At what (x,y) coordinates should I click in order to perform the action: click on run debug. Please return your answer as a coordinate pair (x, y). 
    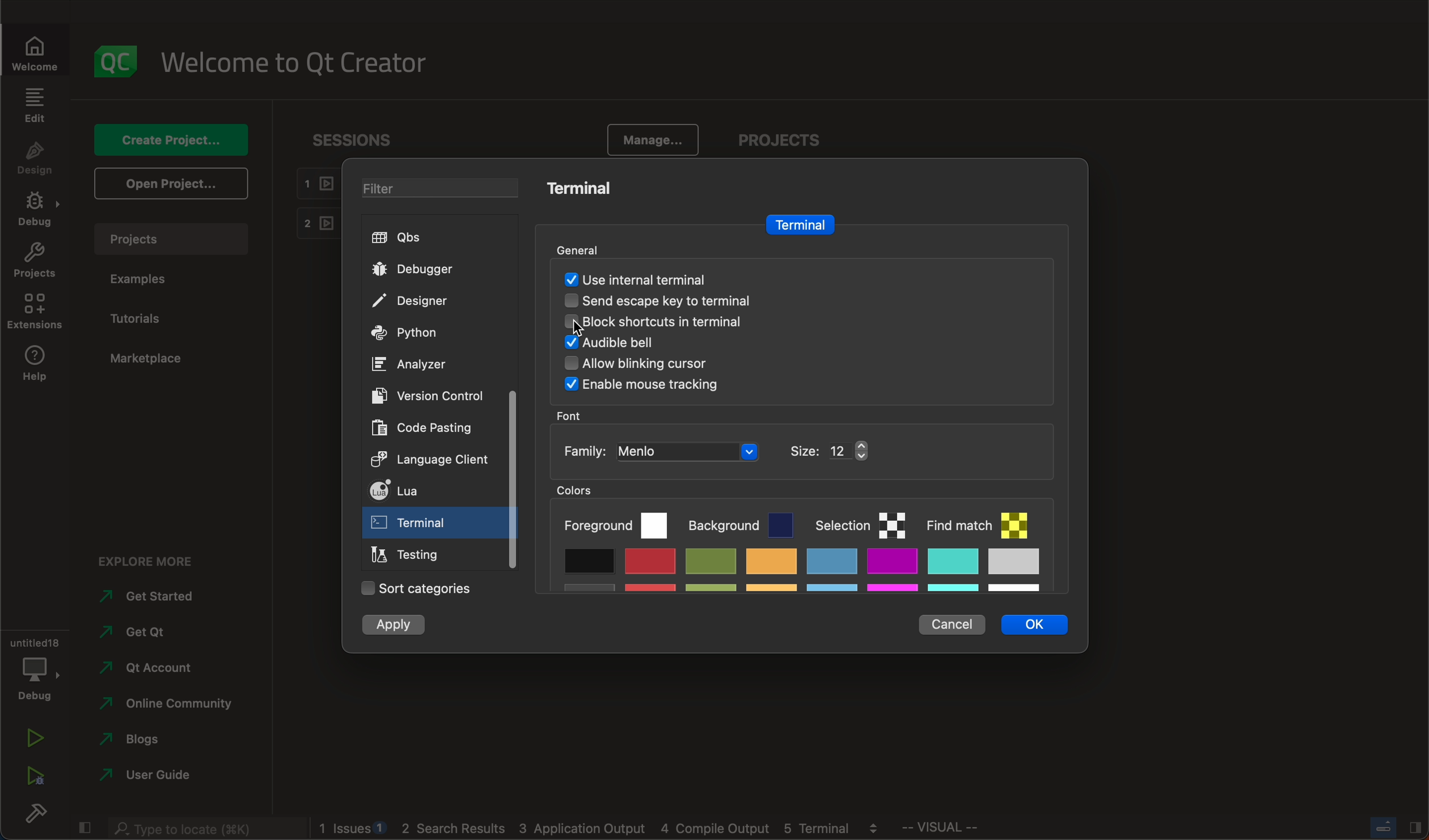
    Looking at the image, I should click on (33, 780).